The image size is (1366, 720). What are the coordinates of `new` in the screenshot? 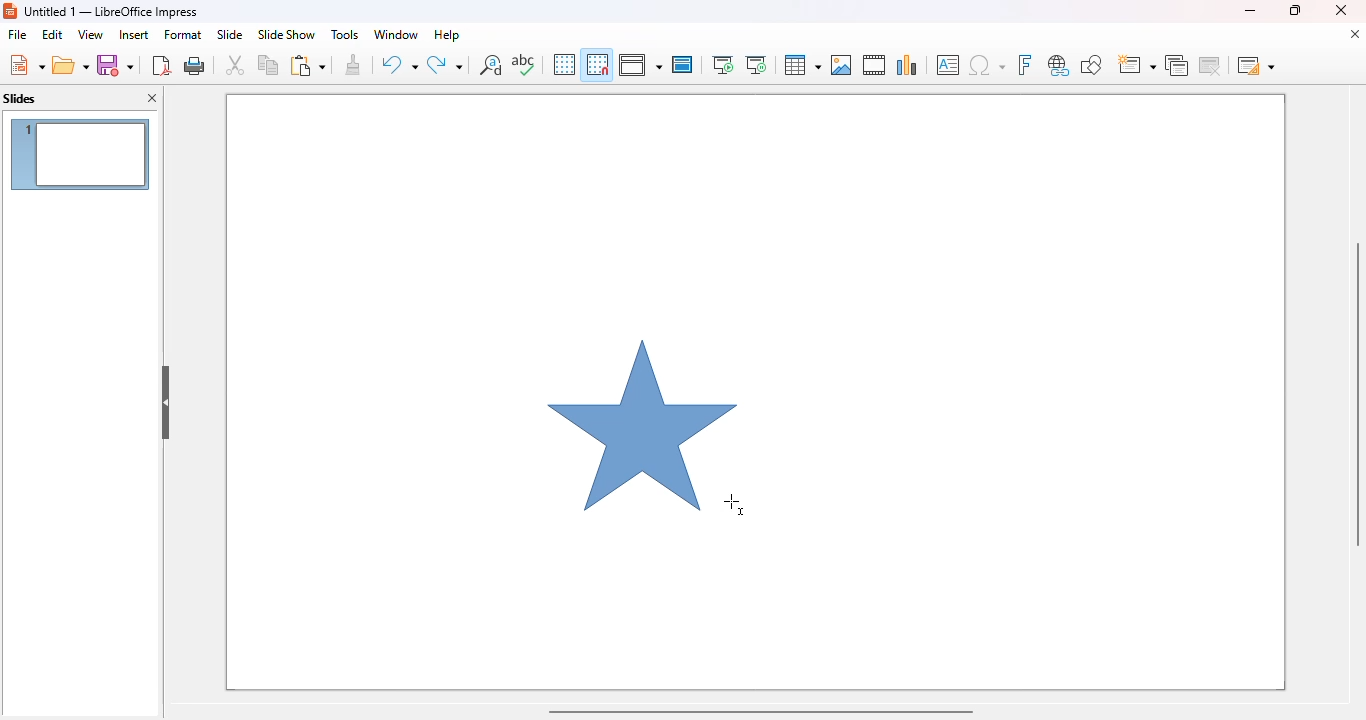 It's located at (26, 65).